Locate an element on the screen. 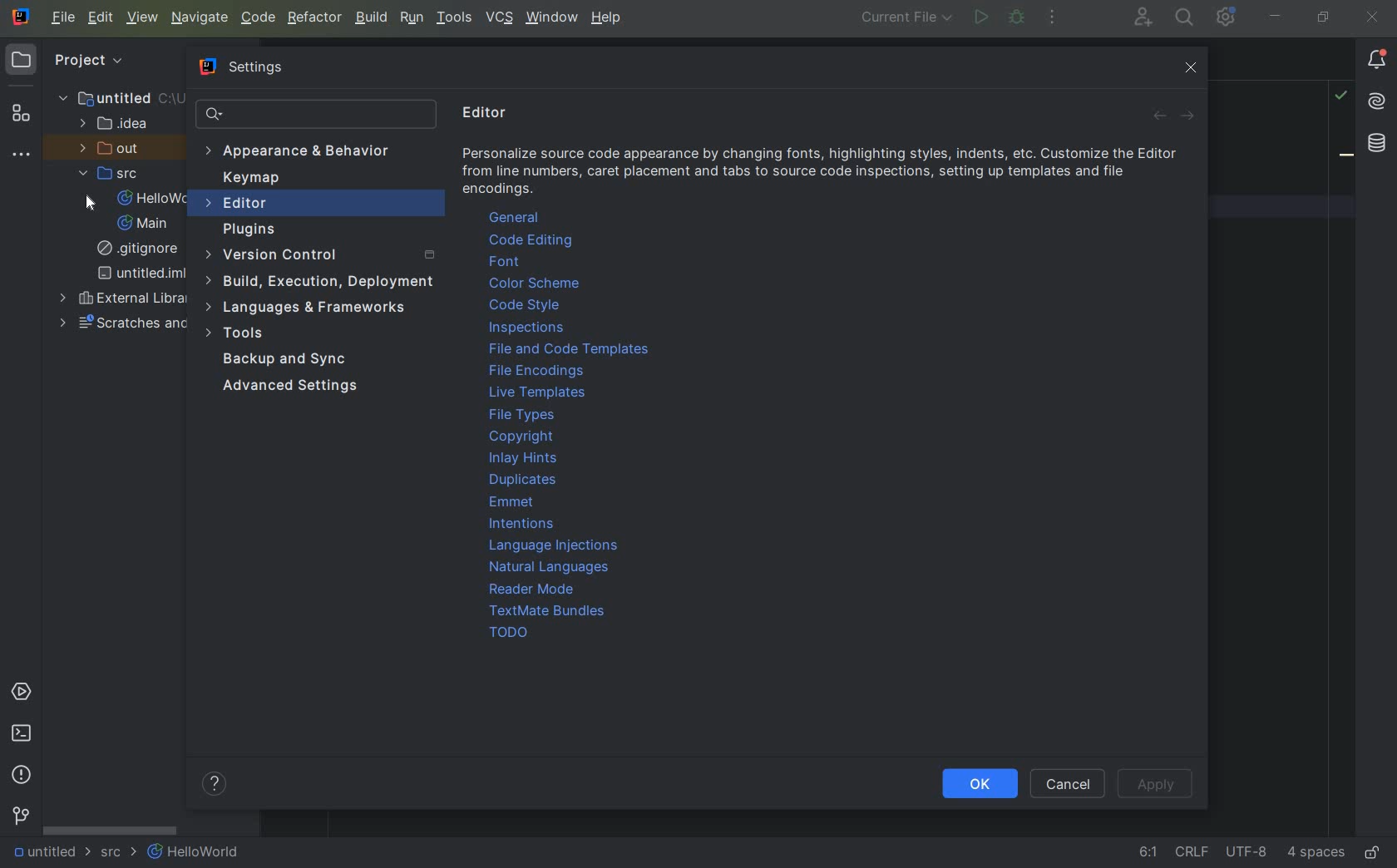 The width and height of the screenshot is (1397, 868). notifications is located at coordinates (1376, 62).